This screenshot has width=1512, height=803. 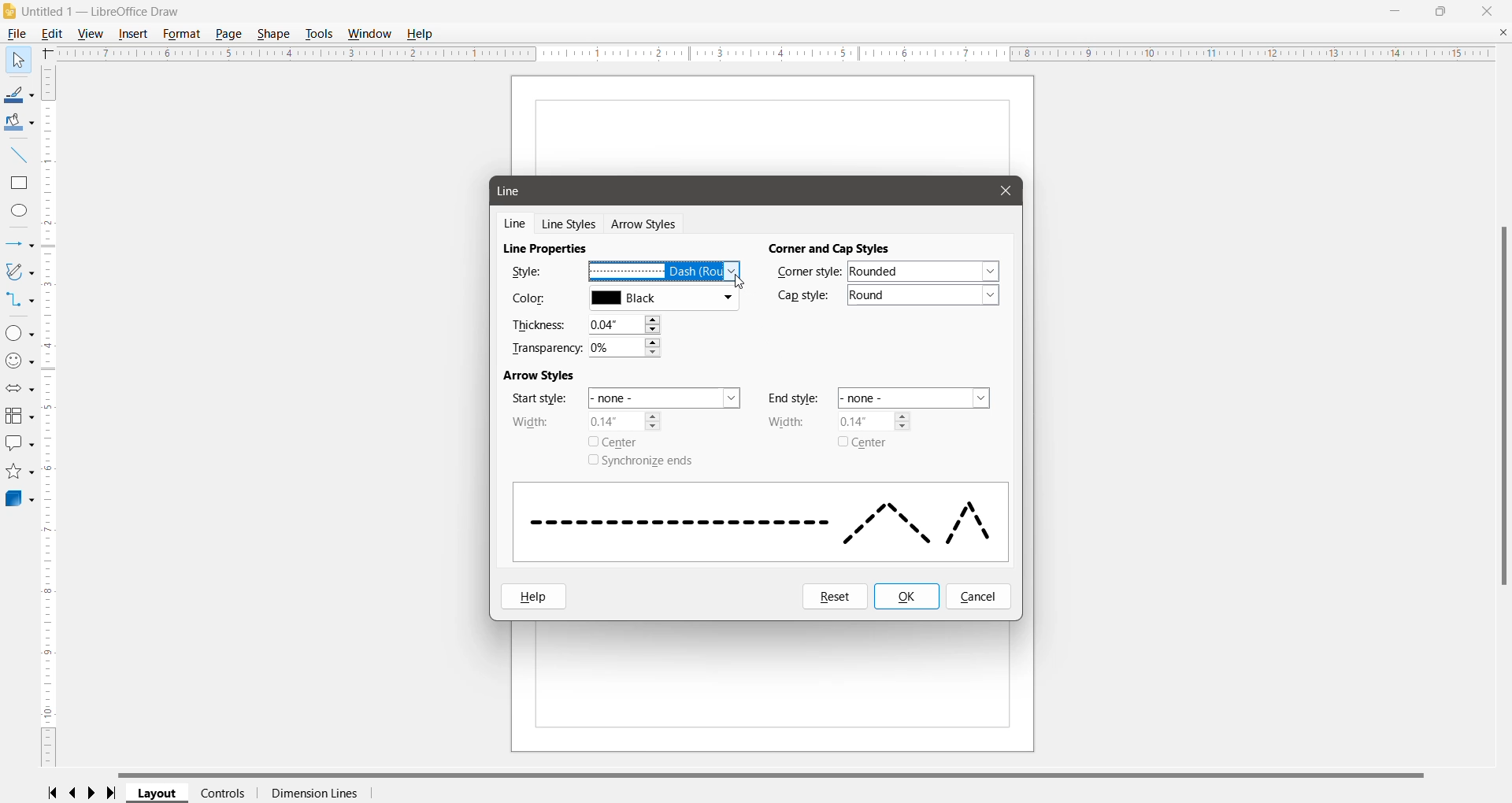 What do you see at coordinates (112, 794) in the screenshot?
I see `Scroll to last page` at bounding box center [112, 794].